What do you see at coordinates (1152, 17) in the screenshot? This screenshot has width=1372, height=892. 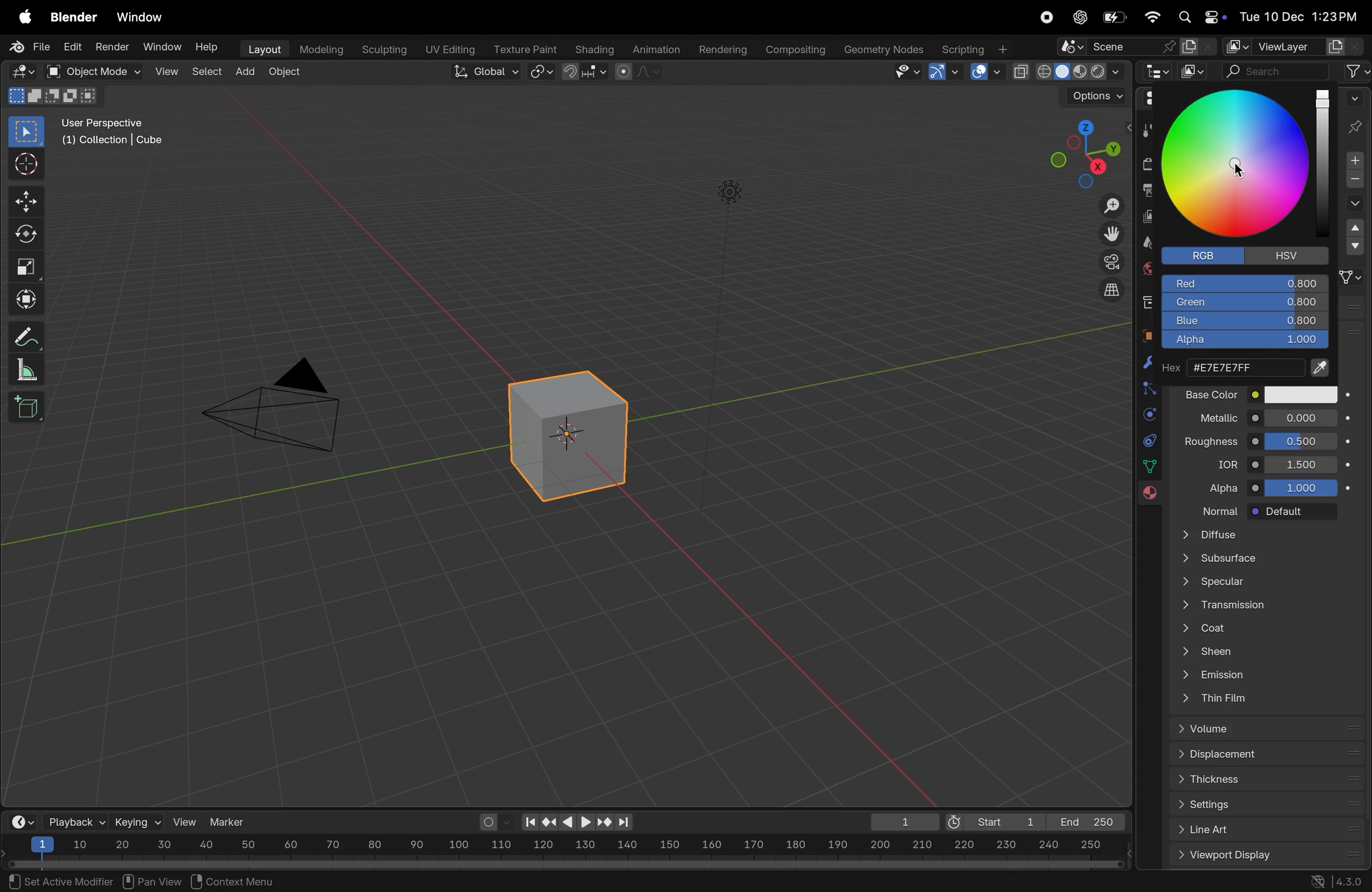 I see `wifi` at bounding box center [1152, 17].